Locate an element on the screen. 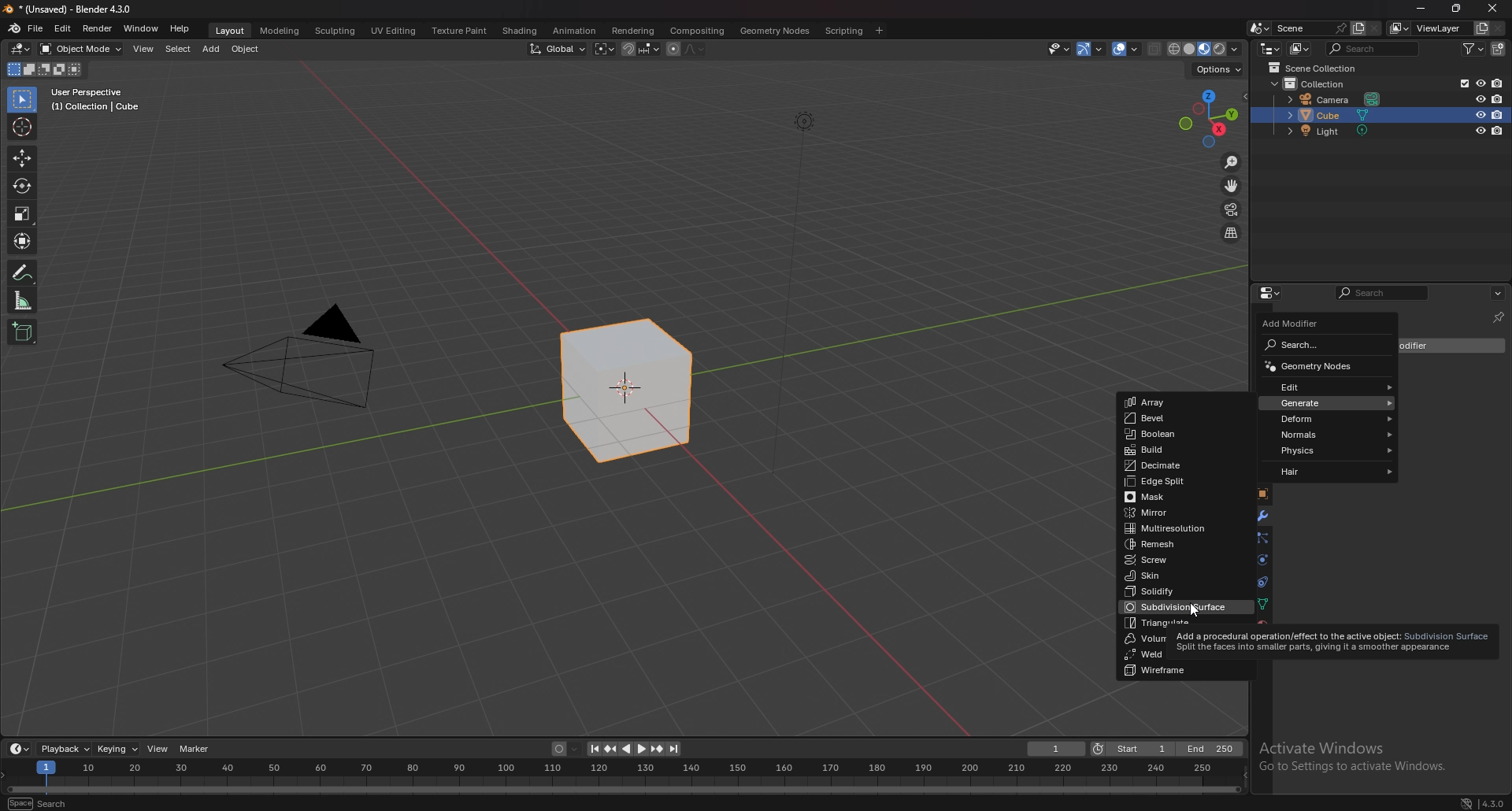 This screenshot has height=811, width=1512. transform pivot point is located at coordinates (603, 48).